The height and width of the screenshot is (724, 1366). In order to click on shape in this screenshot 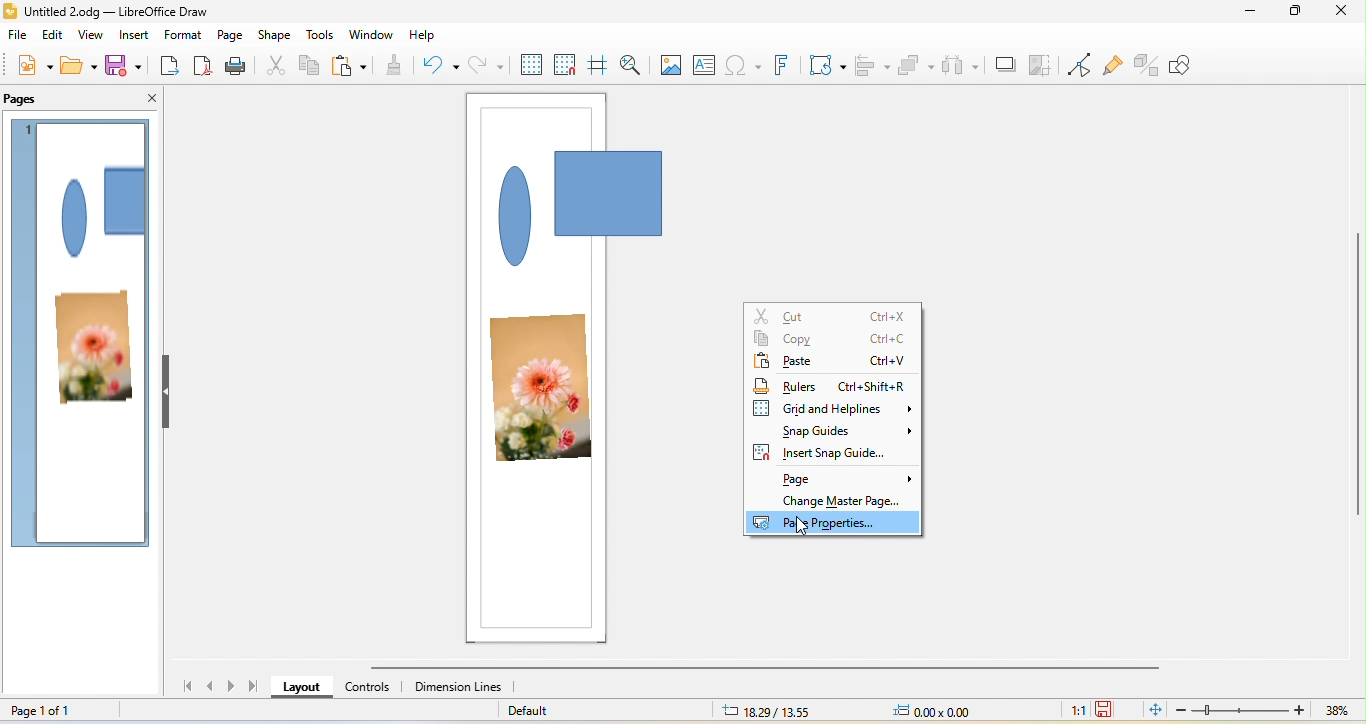, I will do `click(277, 35)`.